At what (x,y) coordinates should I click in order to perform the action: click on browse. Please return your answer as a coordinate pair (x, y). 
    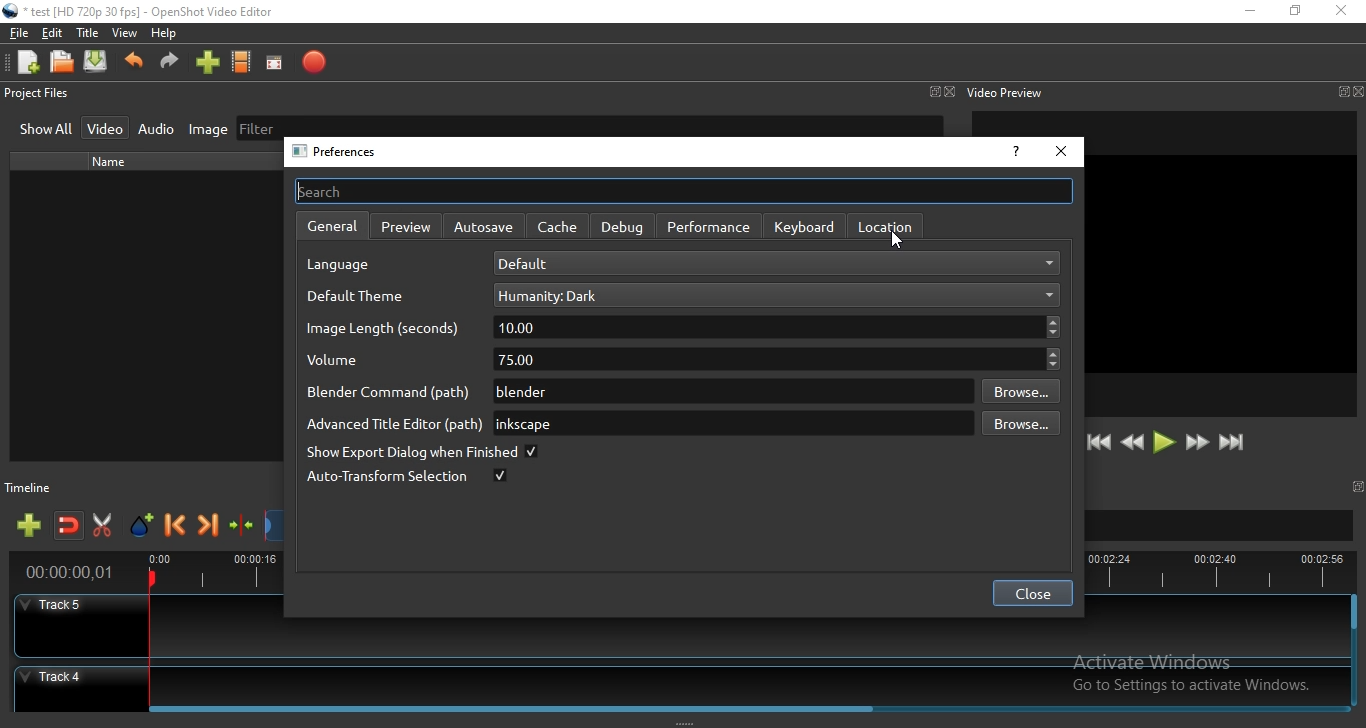
    Looking at the image, I should click on (1019, 426).